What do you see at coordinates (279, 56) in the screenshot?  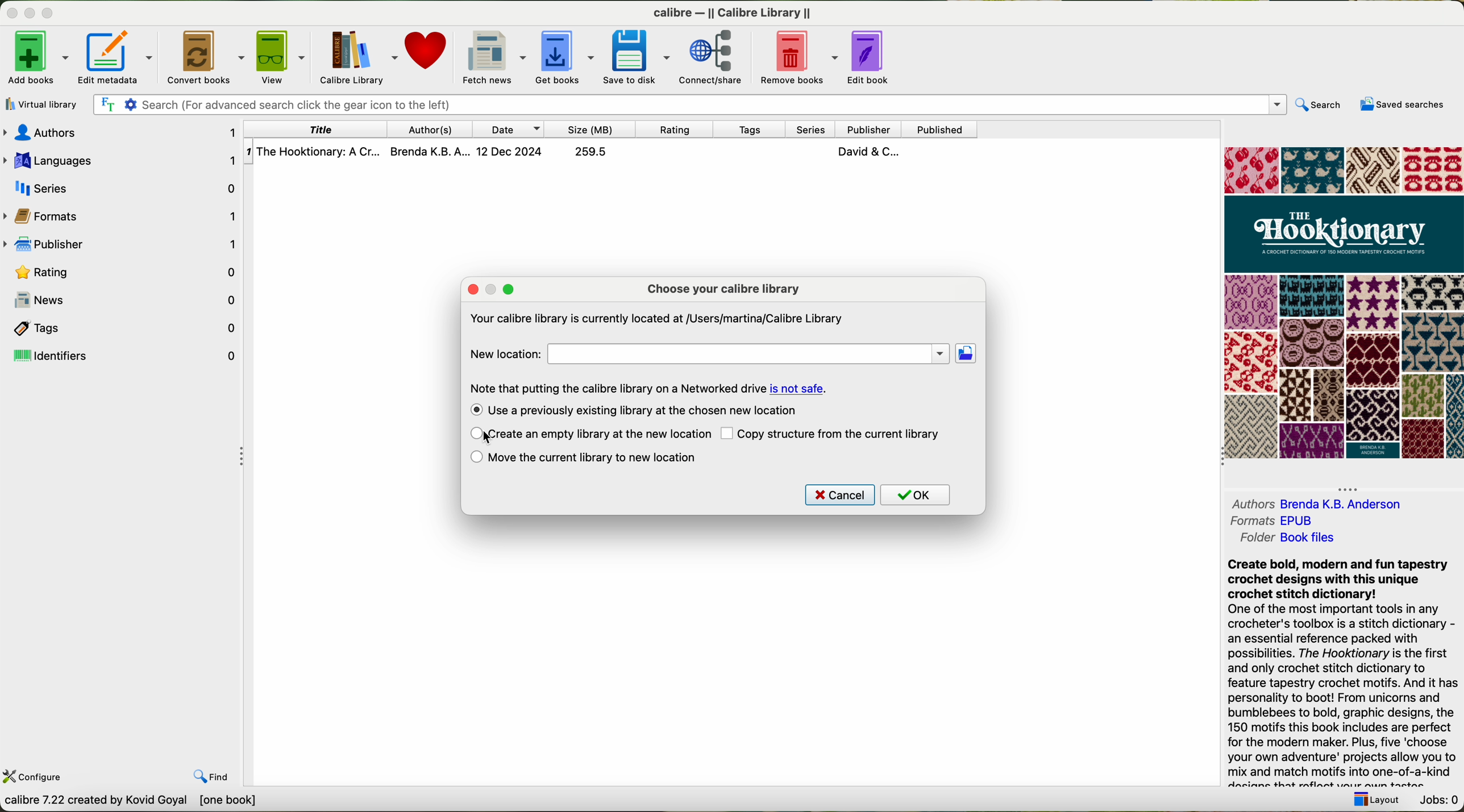 I see `view` at bounding box center [279, 56].